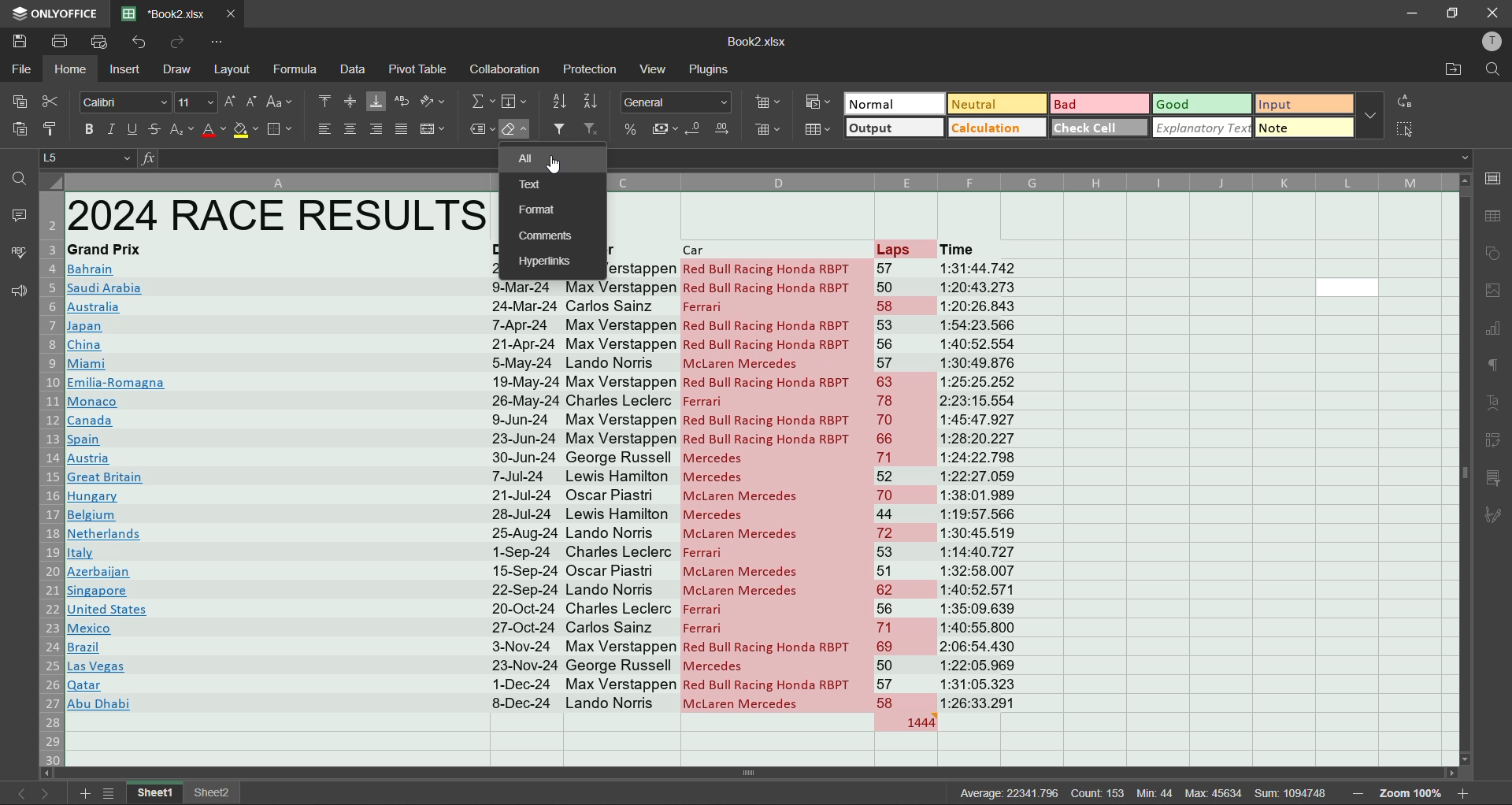 This screenshot has height=805, width=1512. What do you see at coordinates (533, 159) in the screenshot?
I see `all` at bounding box center [533, 159].